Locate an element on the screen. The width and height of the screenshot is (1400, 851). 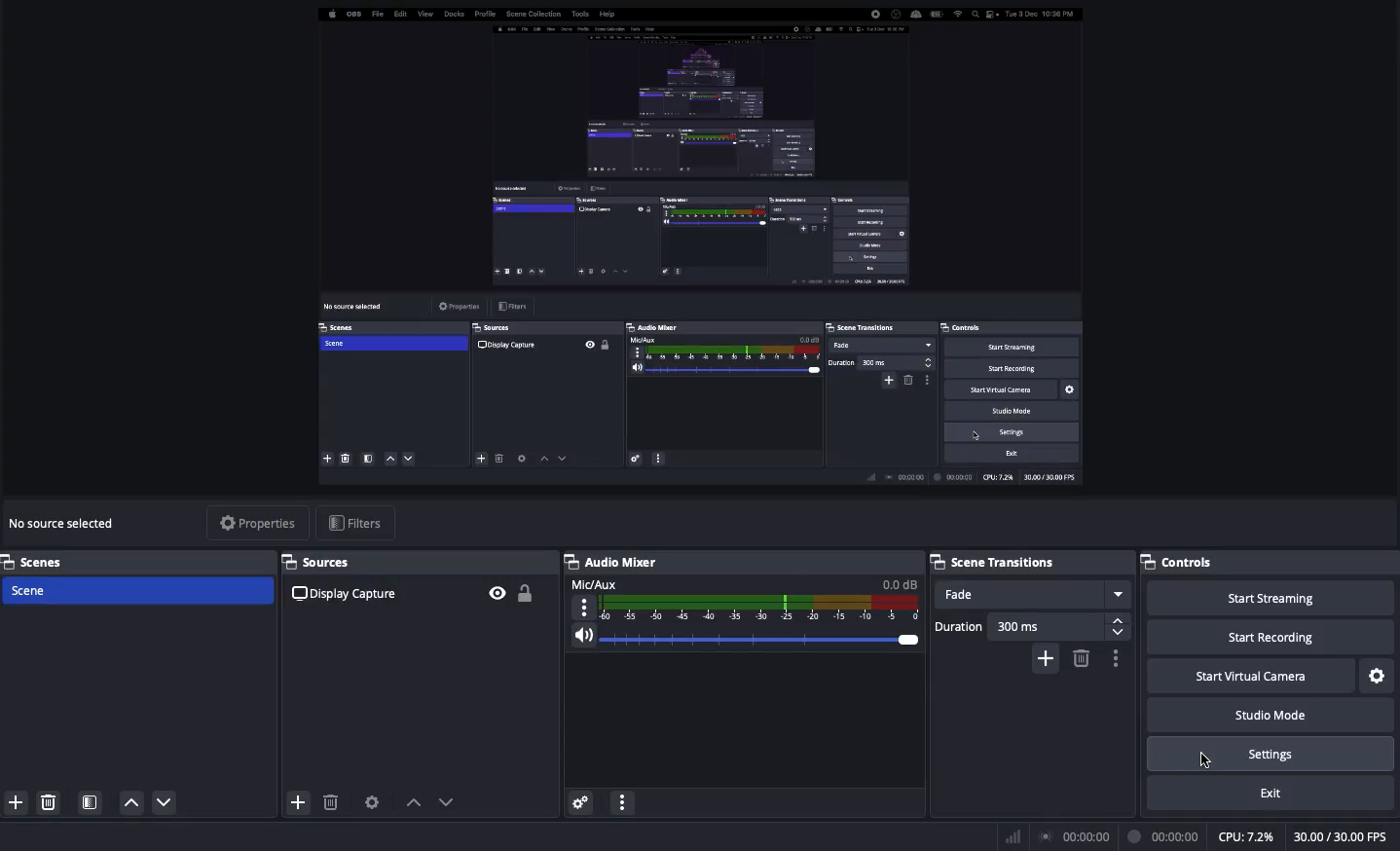
Volume is located at coordinates (744, 639).